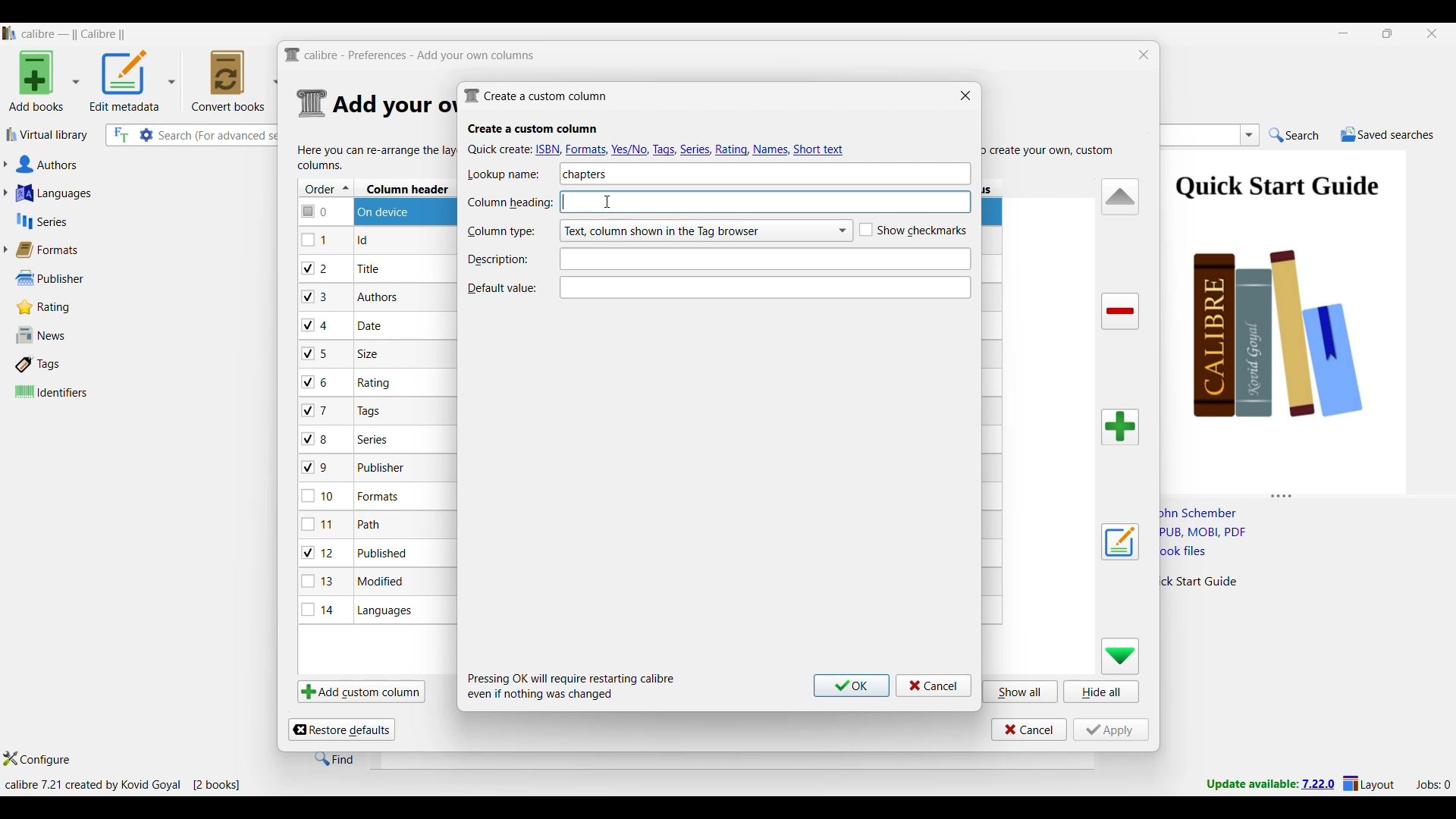  What do you see at coordinates (321, 353) in the screenshot?
I see `checkbox - 5` at bounding box center [321, 353].